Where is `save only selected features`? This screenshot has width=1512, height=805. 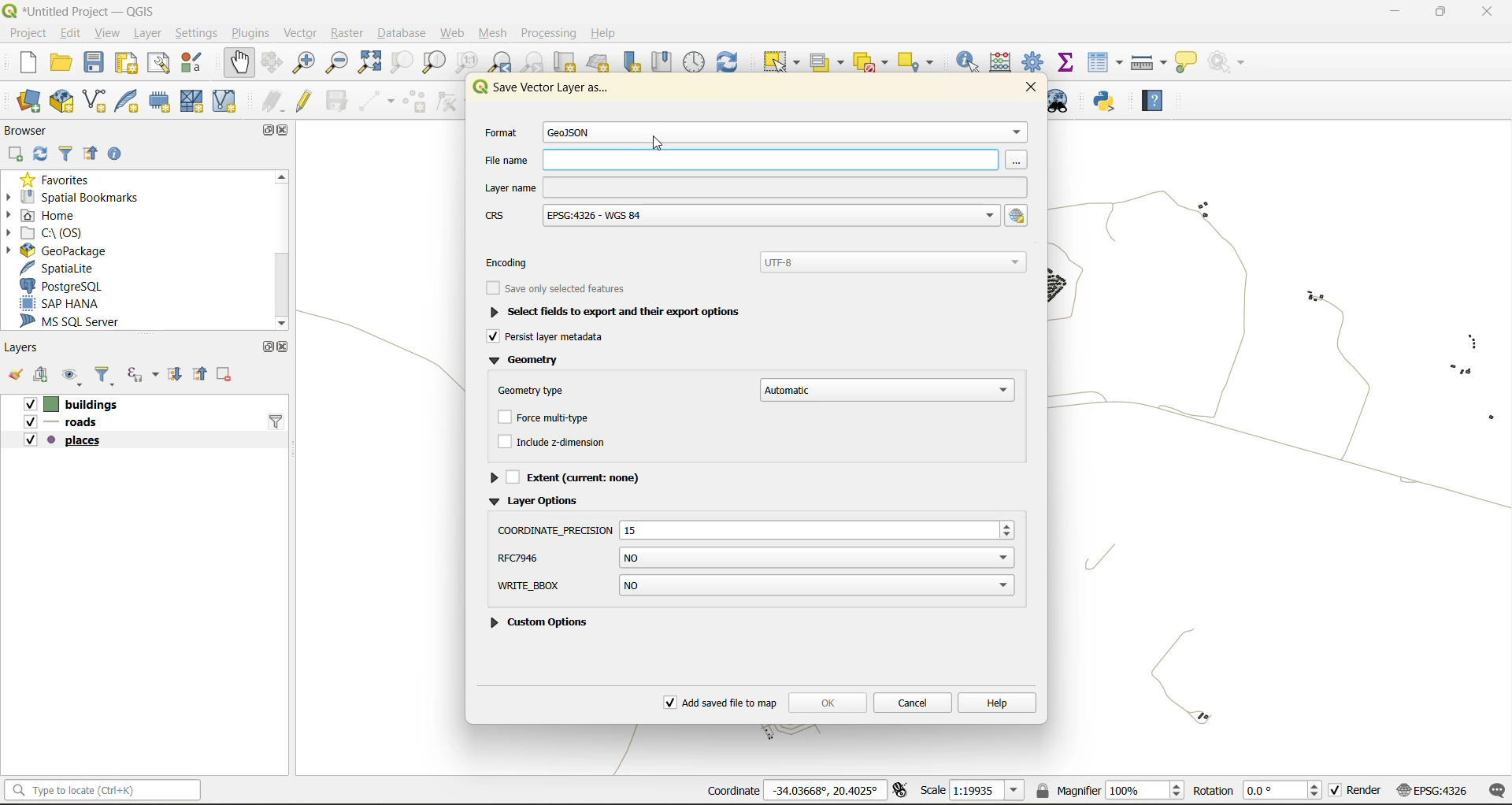
save only selected features is located at coordinates (556, 288).